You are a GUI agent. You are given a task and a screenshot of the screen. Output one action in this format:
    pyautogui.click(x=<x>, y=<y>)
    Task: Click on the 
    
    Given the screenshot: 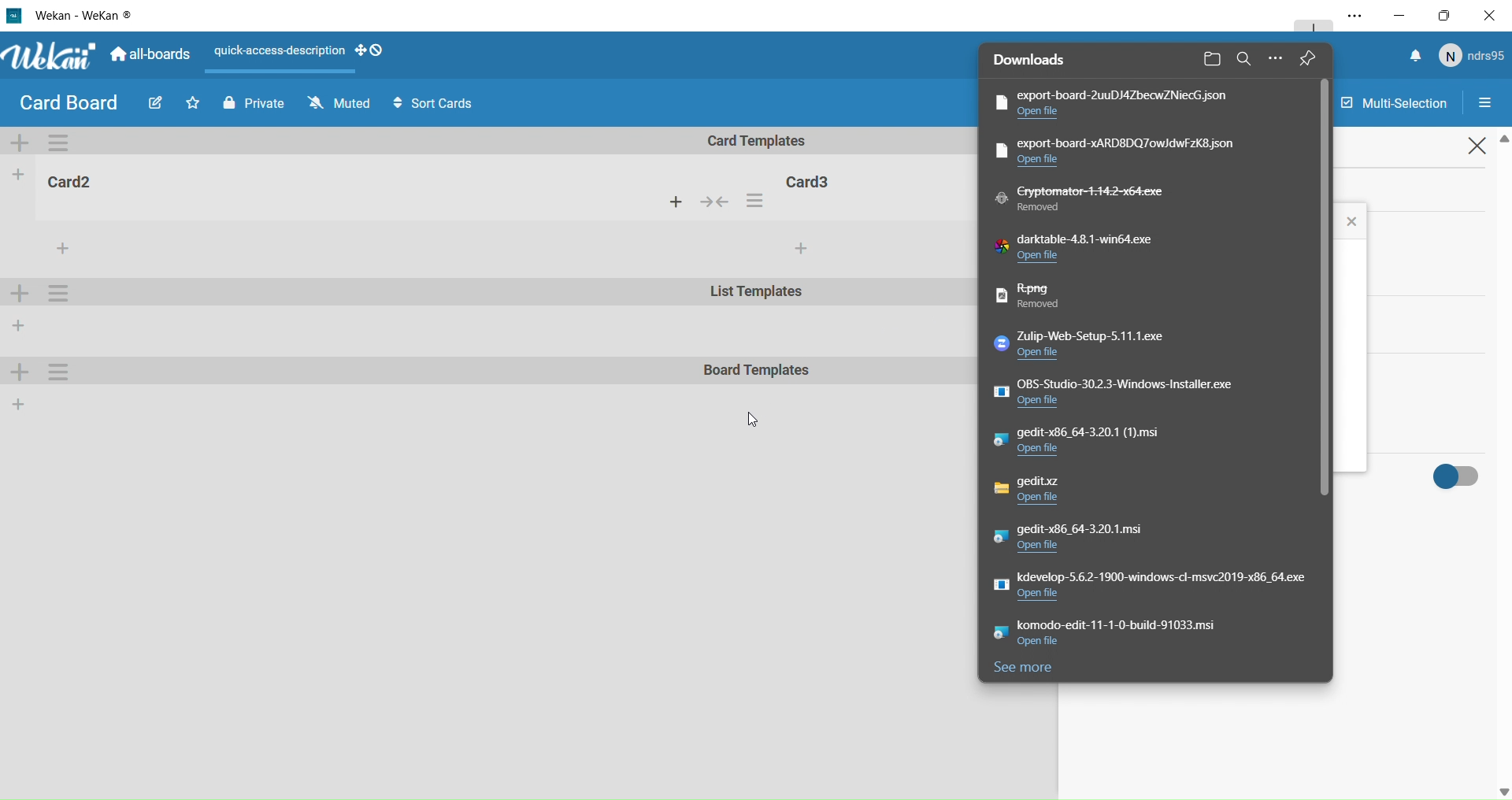 What is the action you would take?
    pyautogui.click(x=57, y=294)
    